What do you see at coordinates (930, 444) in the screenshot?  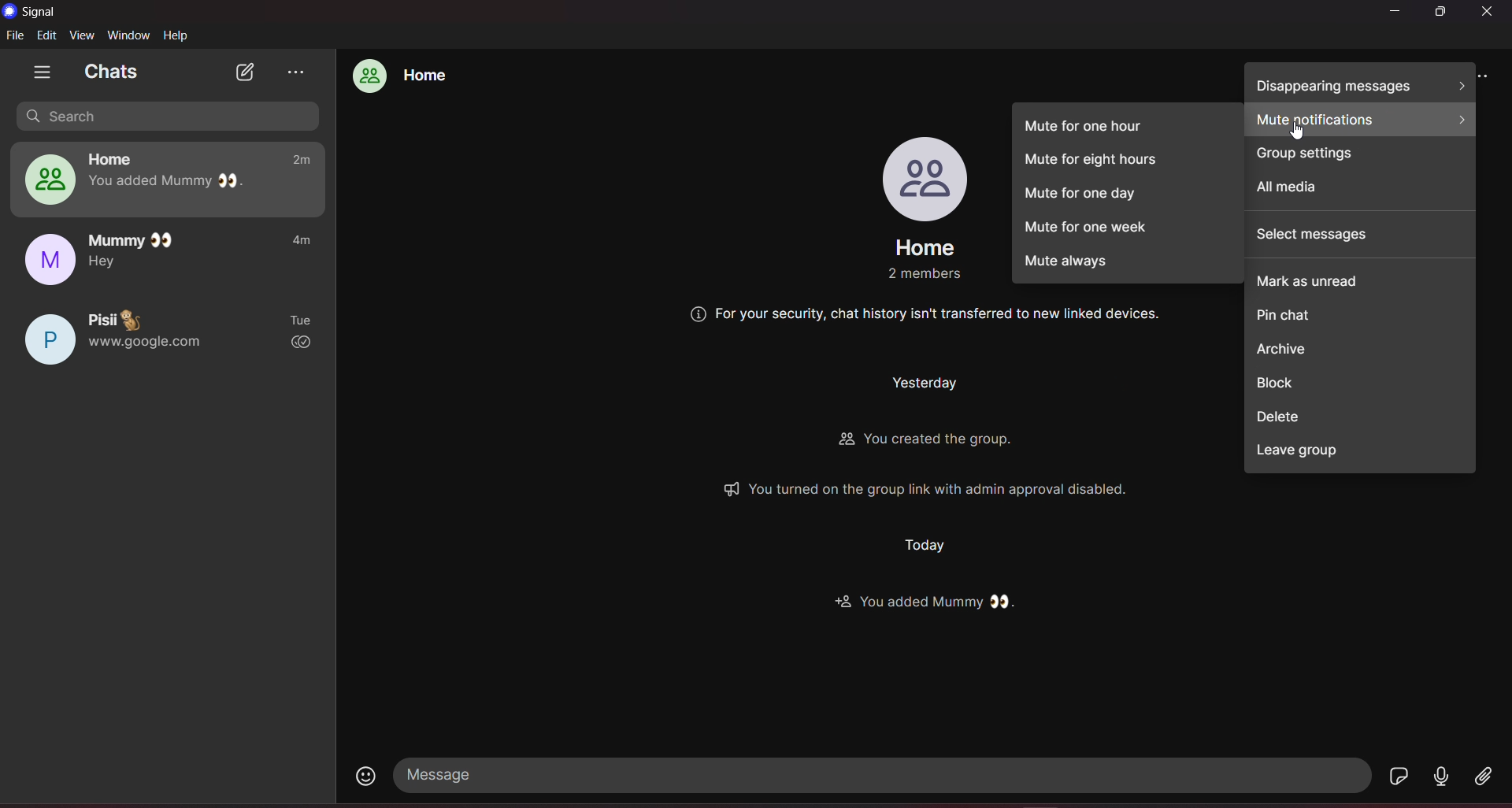 I see `` at bounding box center [930, 444].